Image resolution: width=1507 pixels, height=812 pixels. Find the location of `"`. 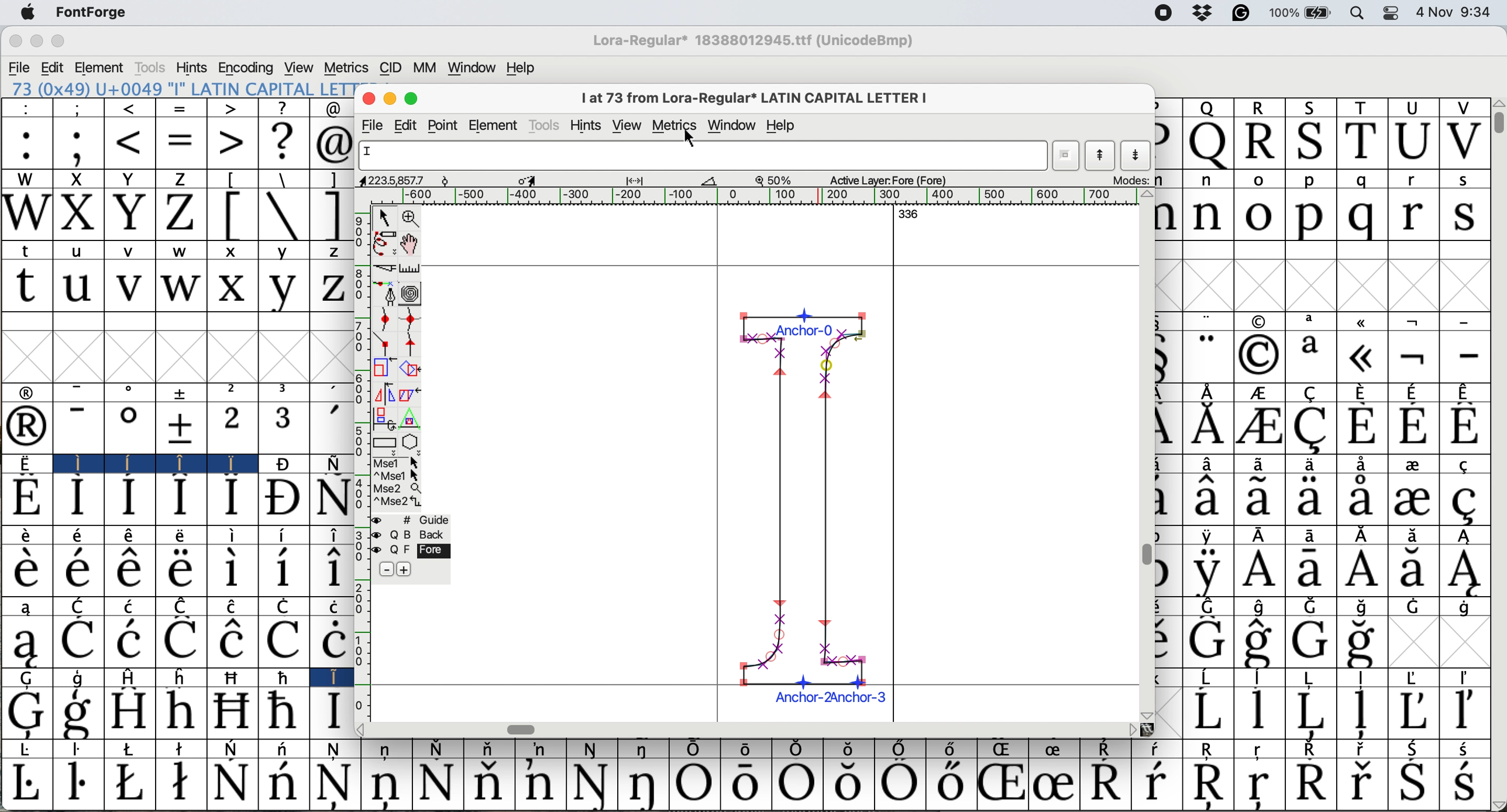

" is located at coordinates (1206, 355).